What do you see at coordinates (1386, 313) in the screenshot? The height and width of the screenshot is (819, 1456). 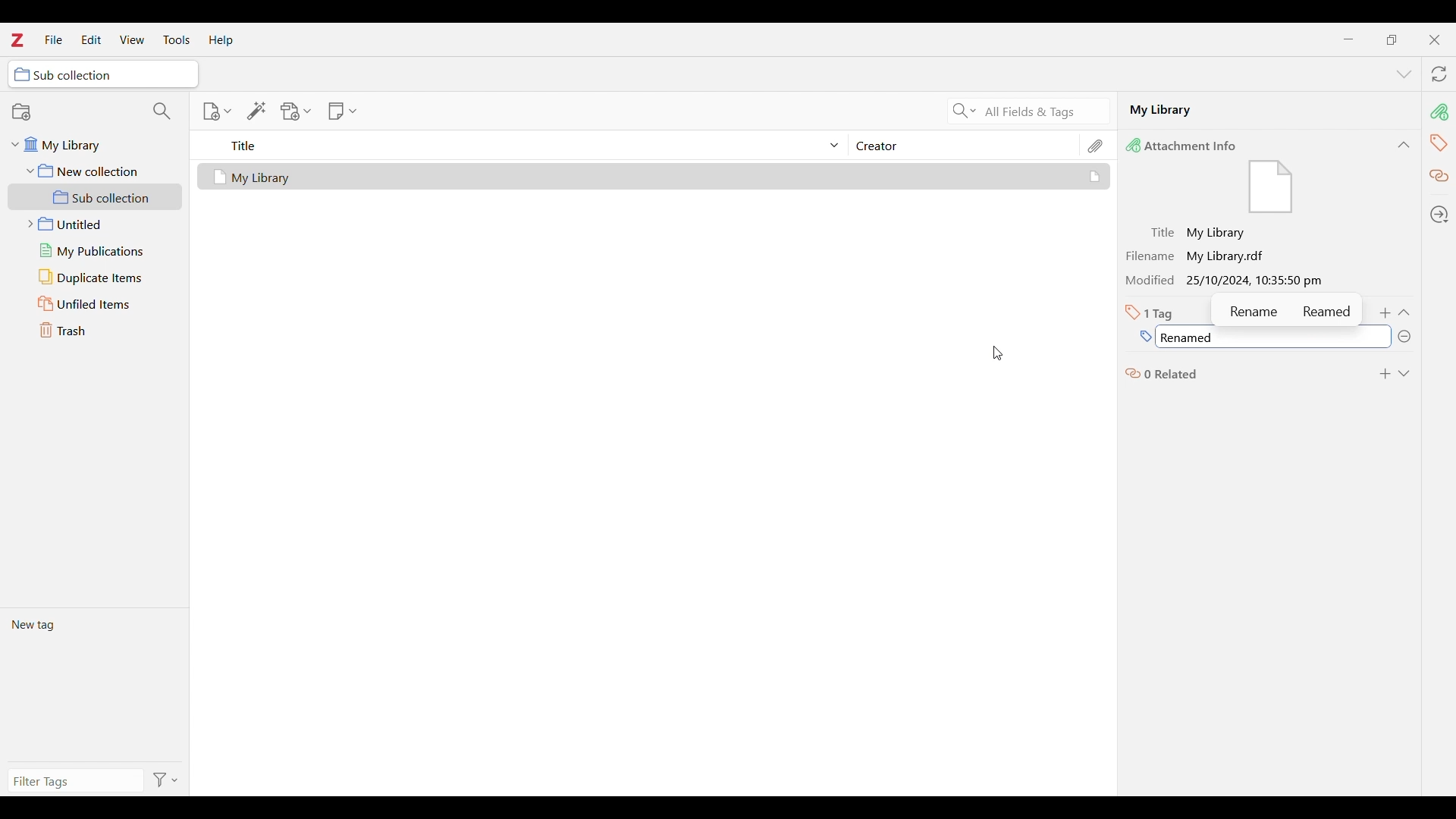 I see `Add` at bounding box center [1386, 313].